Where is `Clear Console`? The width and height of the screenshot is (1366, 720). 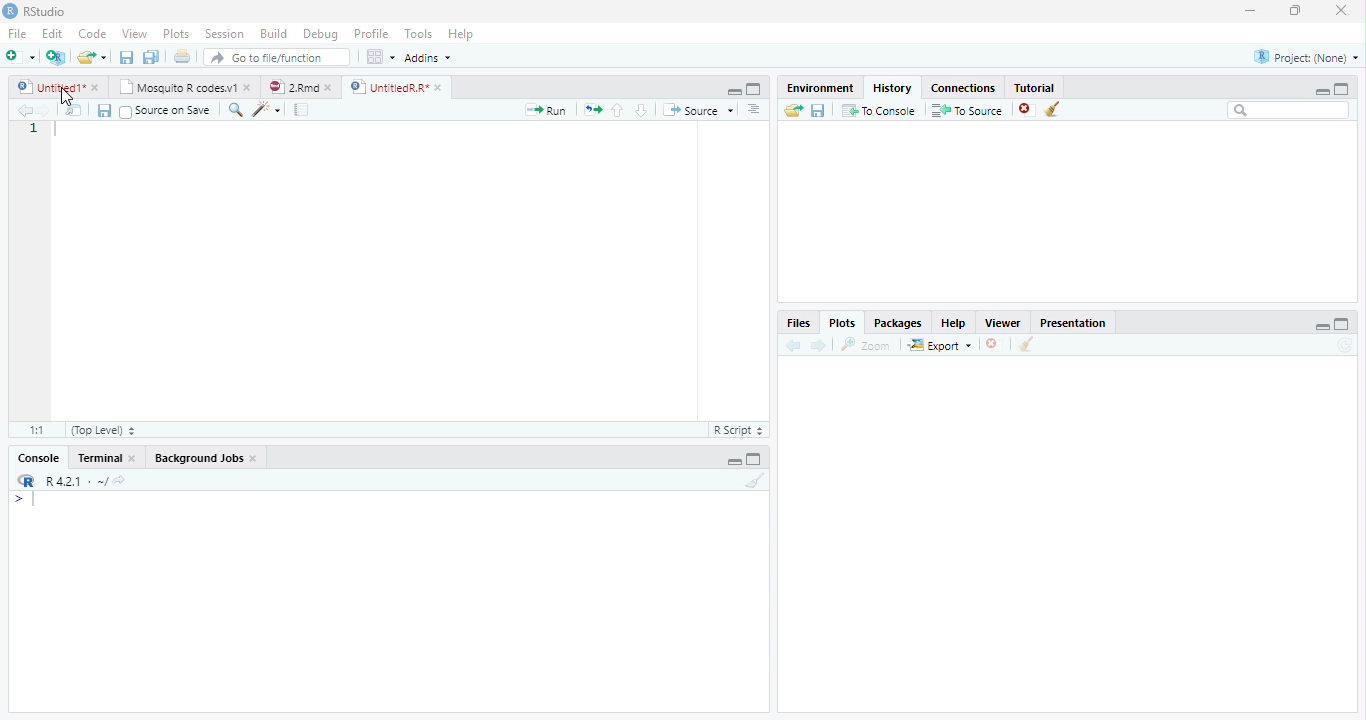
Clear Console is located at coordinates (1026, 346).